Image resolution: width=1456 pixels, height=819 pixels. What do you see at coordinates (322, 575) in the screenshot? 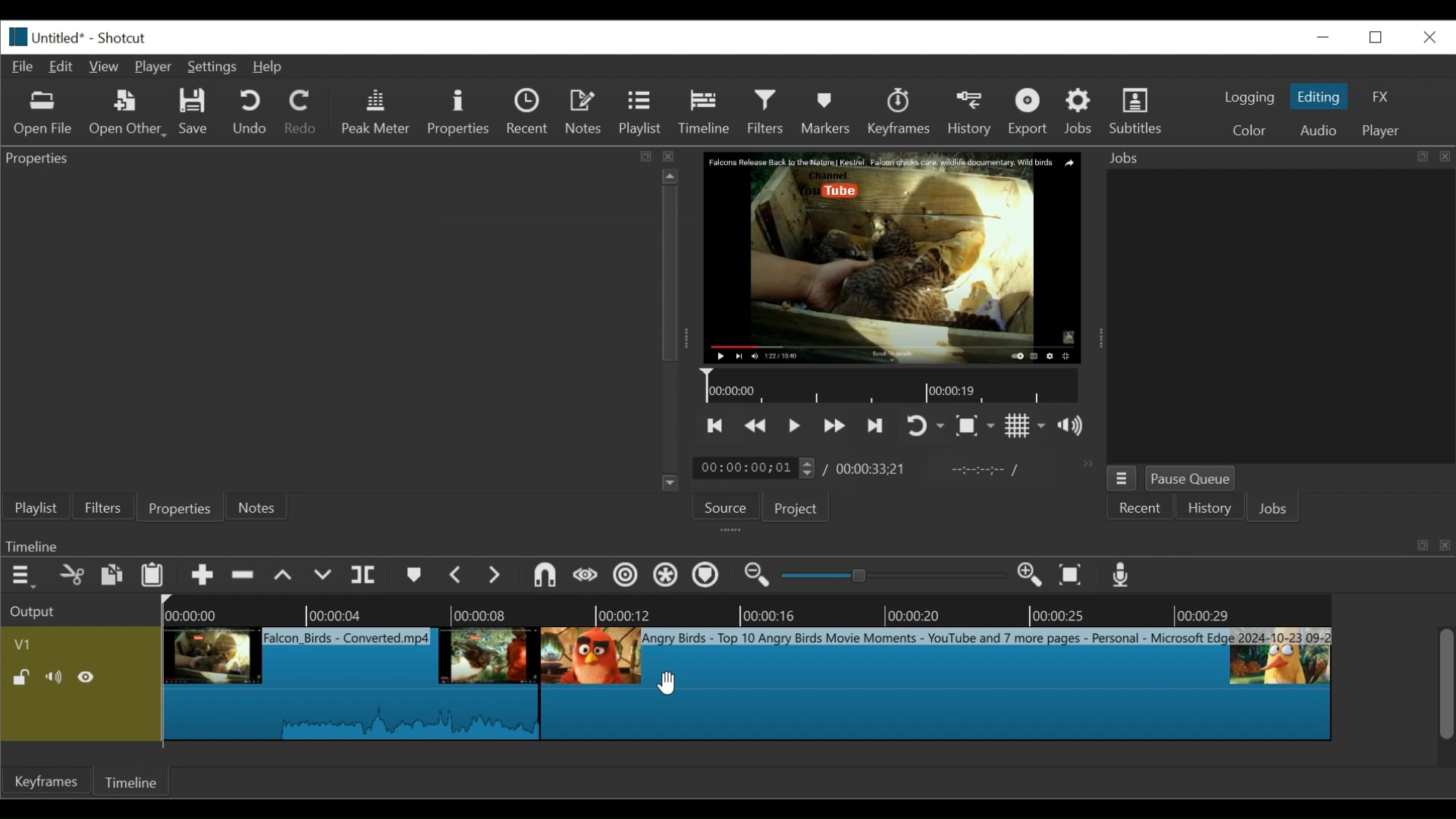
I see `Overwrite` at bounding box center [322, 575].